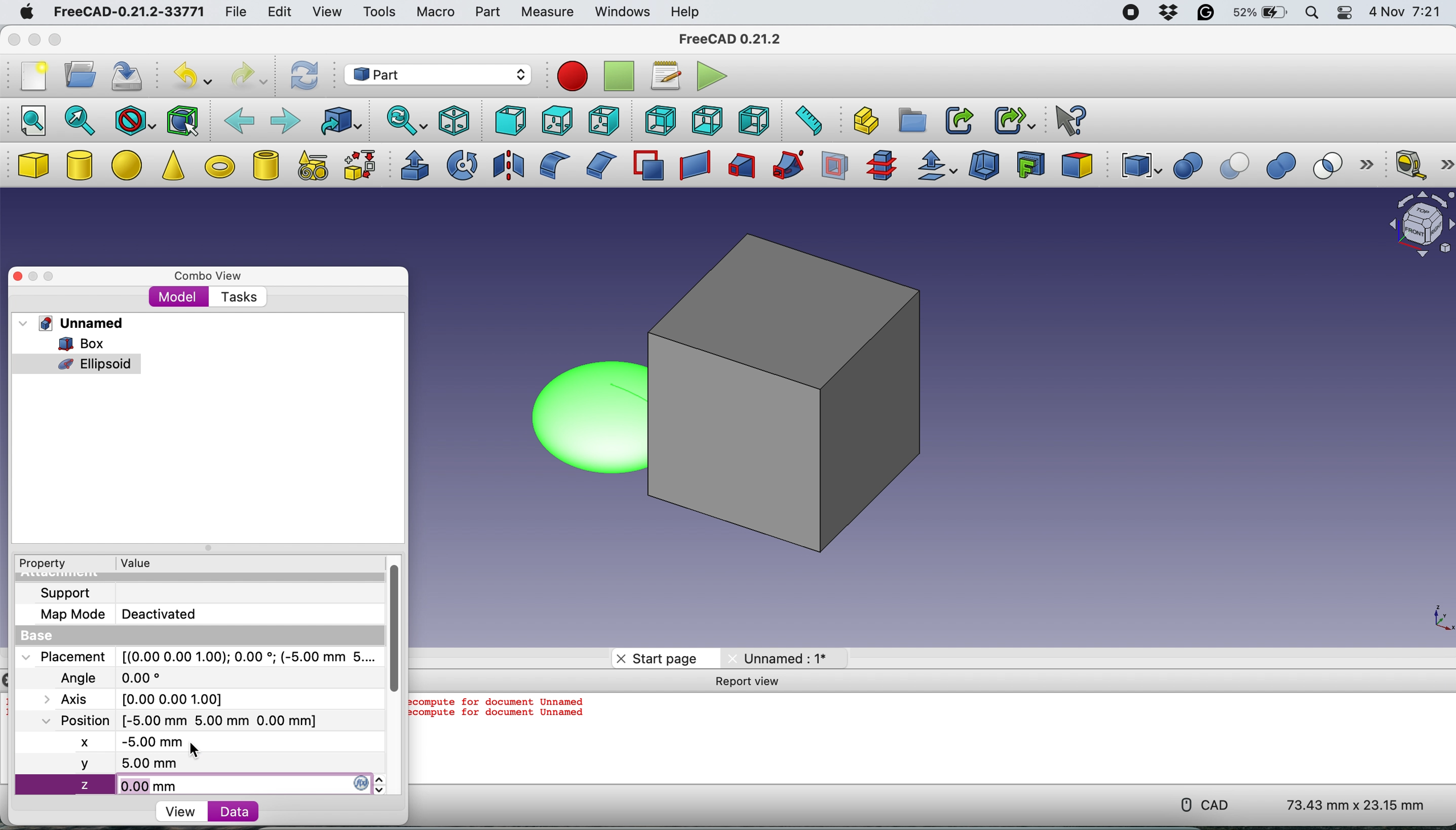 This screenshot has height=830, width=1456. What do you see at coordinates (779, 658) in the screenshot?
I see `Unnamed: 1*` at bounding box center [779, 658].